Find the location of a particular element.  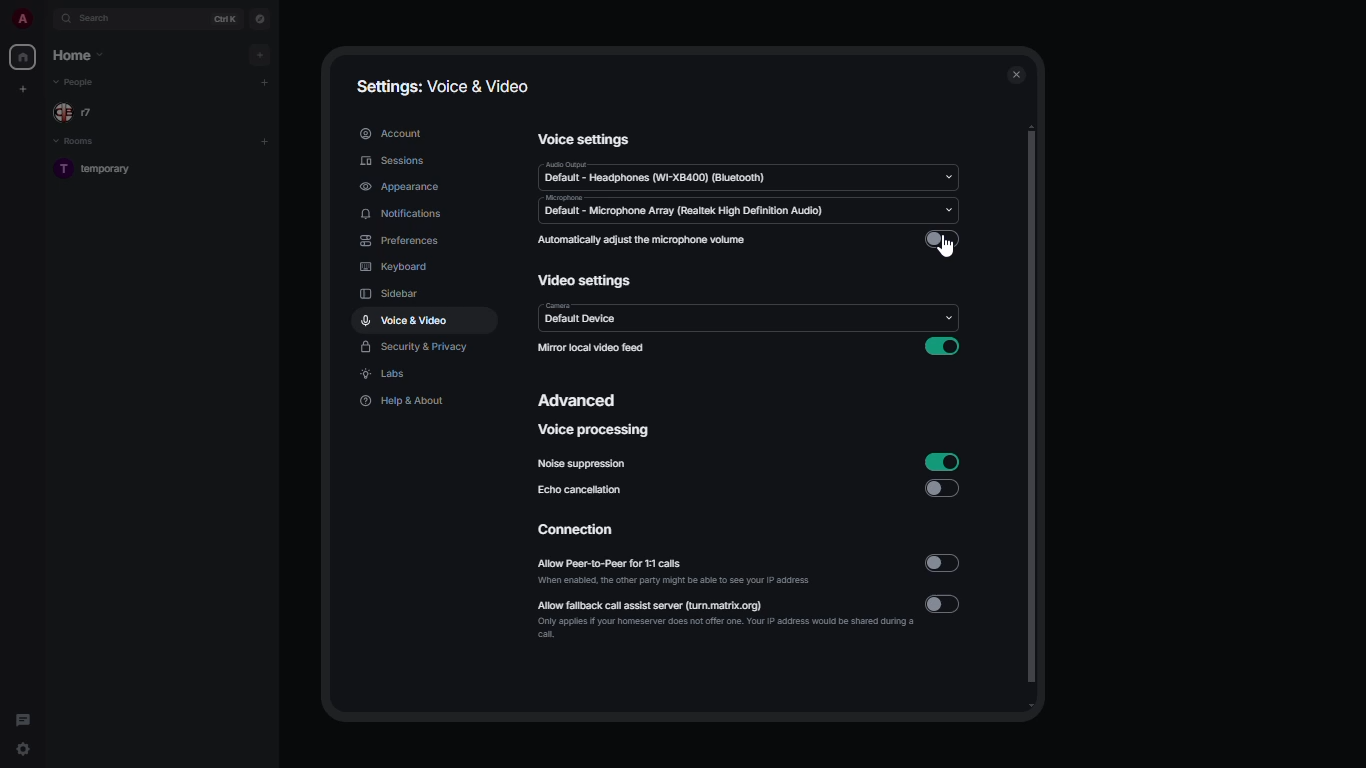

rooms is located at coordinates (75, 141).